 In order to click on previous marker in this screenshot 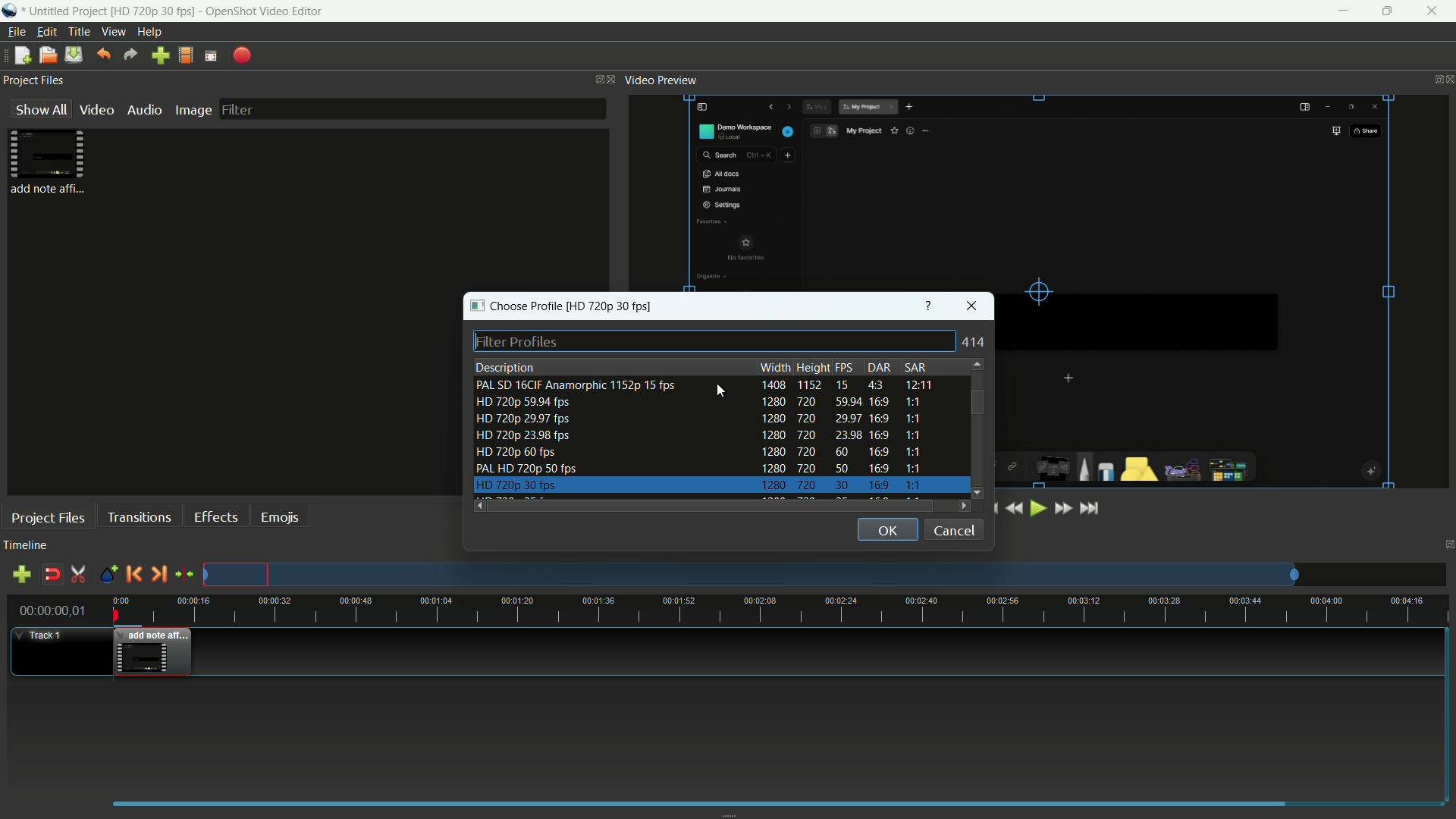, I will do `click(133, 574)`.